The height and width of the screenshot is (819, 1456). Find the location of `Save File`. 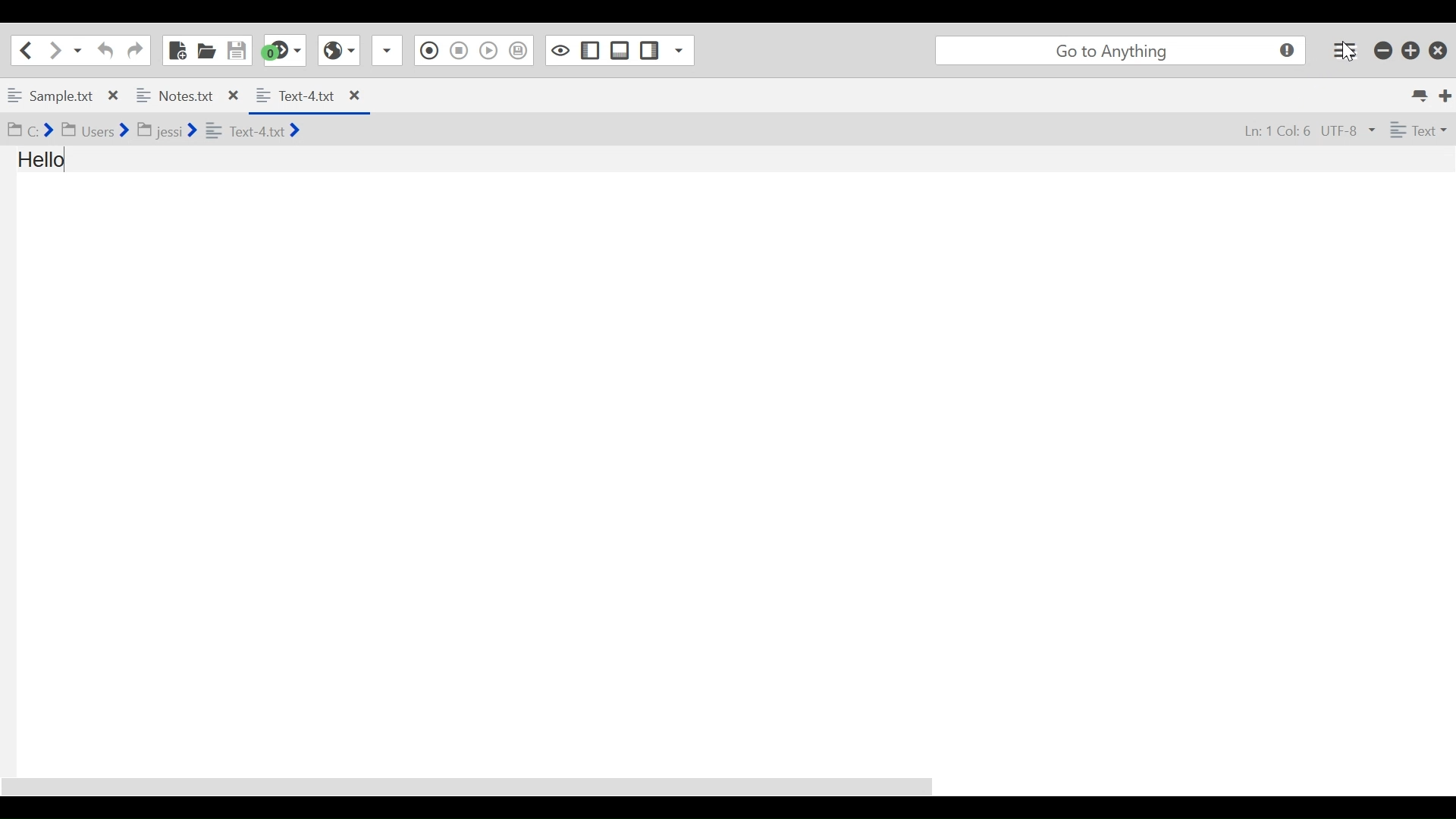

Save File is located at coordinates (236, 50).